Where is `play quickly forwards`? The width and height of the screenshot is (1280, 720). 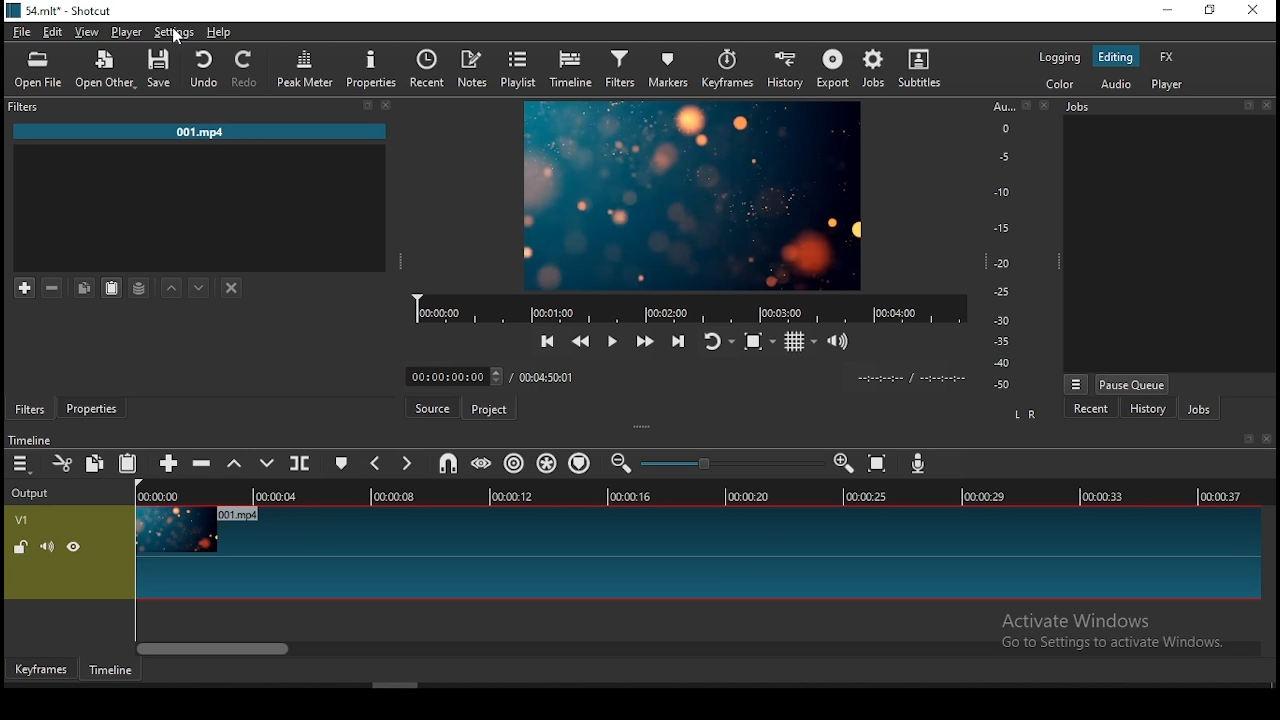
play quickly forwards is located at coordinates (645, 339).